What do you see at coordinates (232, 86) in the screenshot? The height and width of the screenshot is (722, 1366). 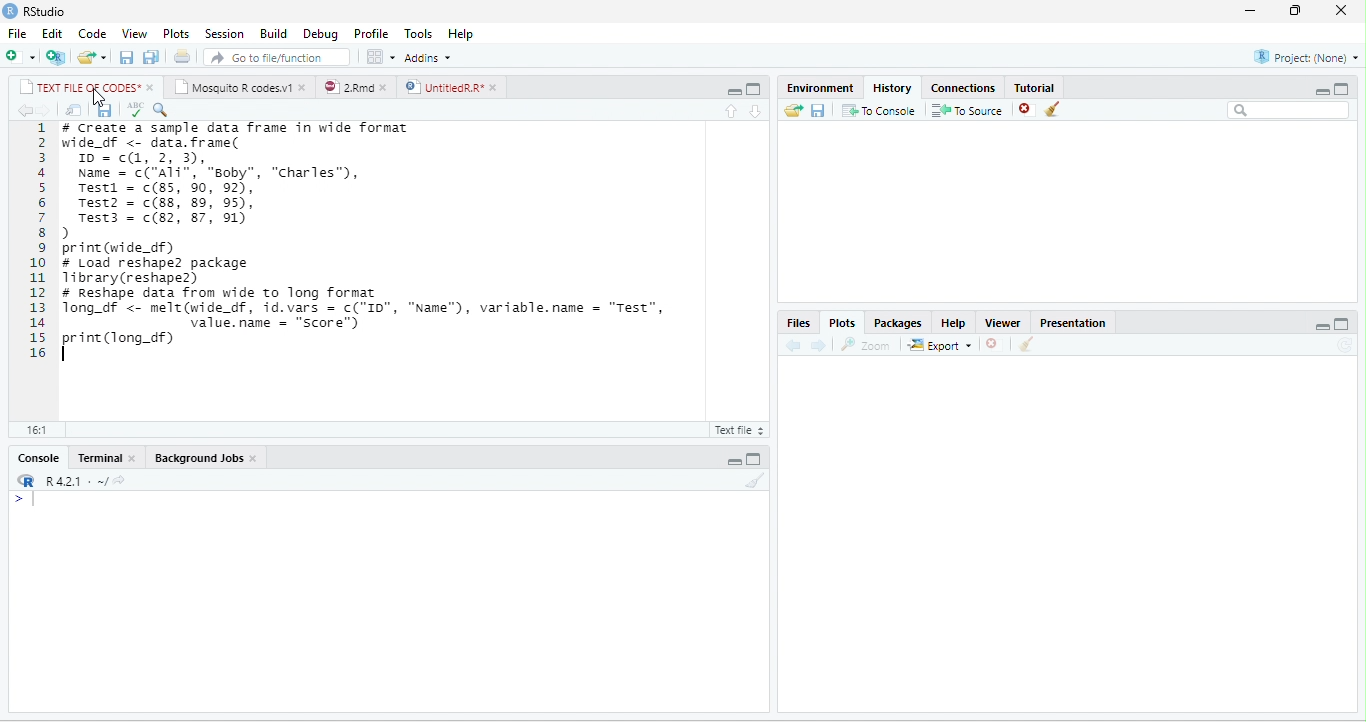 I see `Mosquito R codes.v1` at bounding box center [232, 86].